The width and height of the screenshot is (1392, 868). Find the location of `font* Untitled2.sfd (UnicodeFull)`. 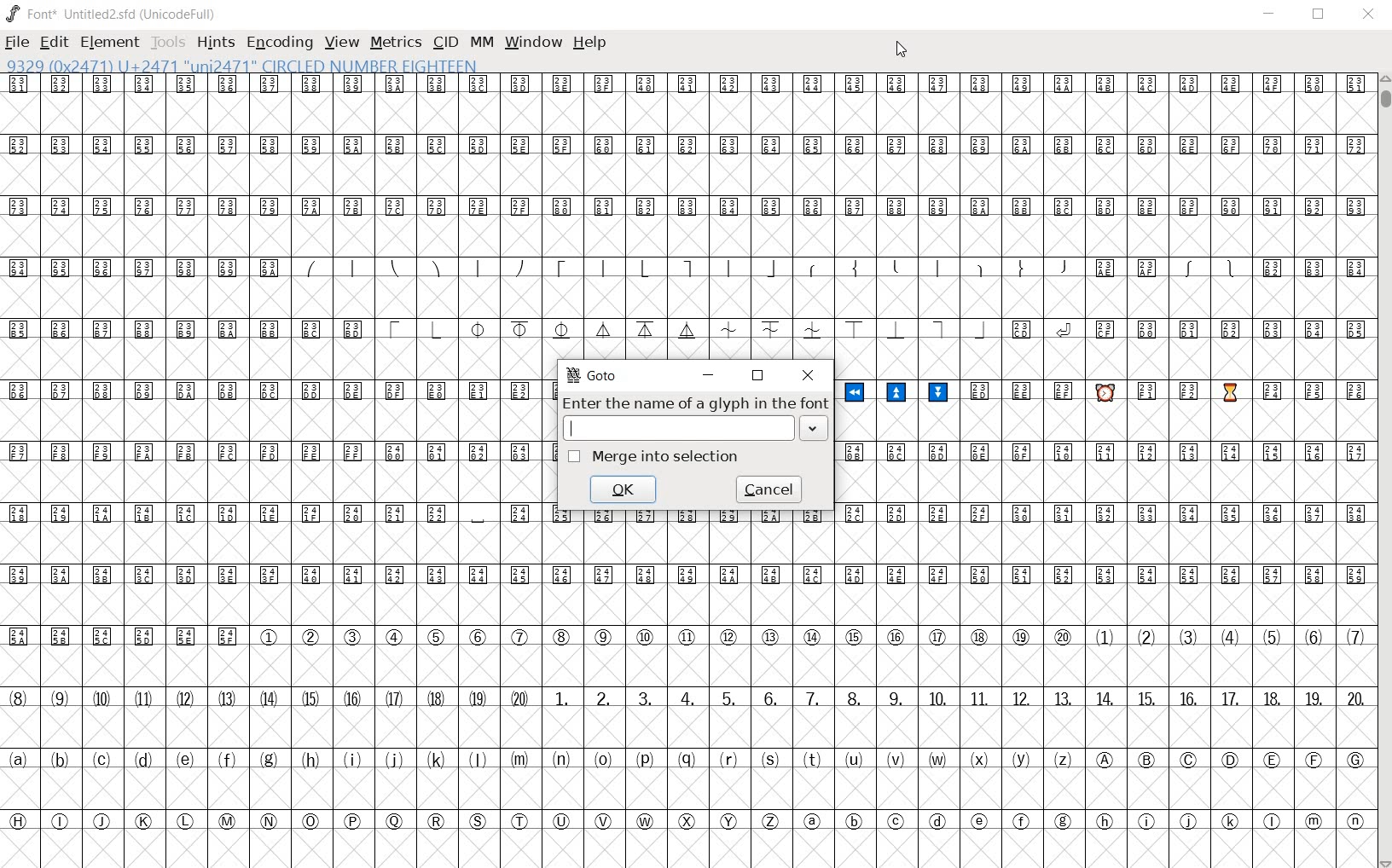

font* Untitled2.sfd (UnicodeFull) is located at coordinates (113, 14).